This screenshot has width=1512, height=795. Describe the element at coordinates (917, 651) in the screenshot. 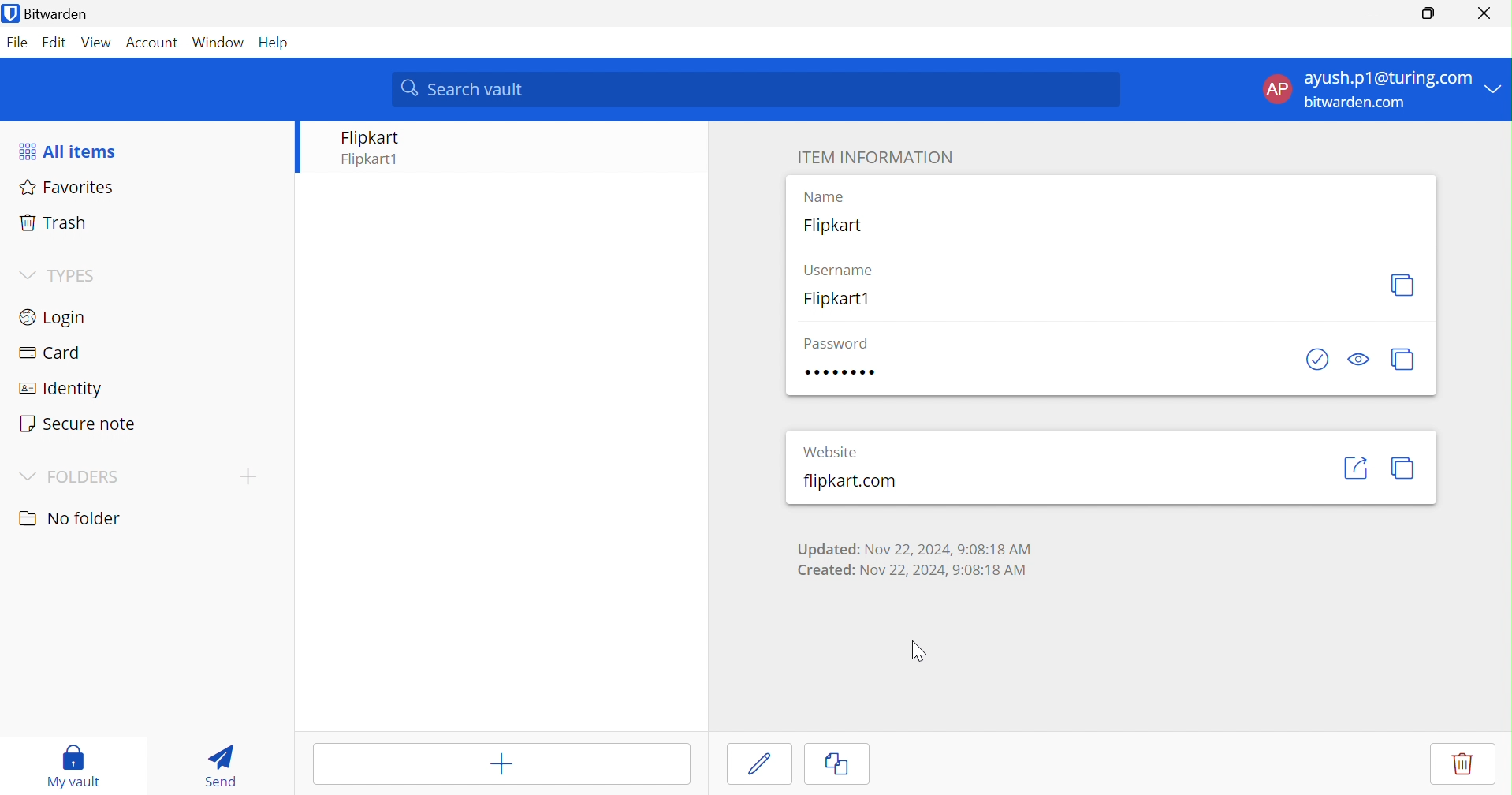

I see `Cursor` at that location.